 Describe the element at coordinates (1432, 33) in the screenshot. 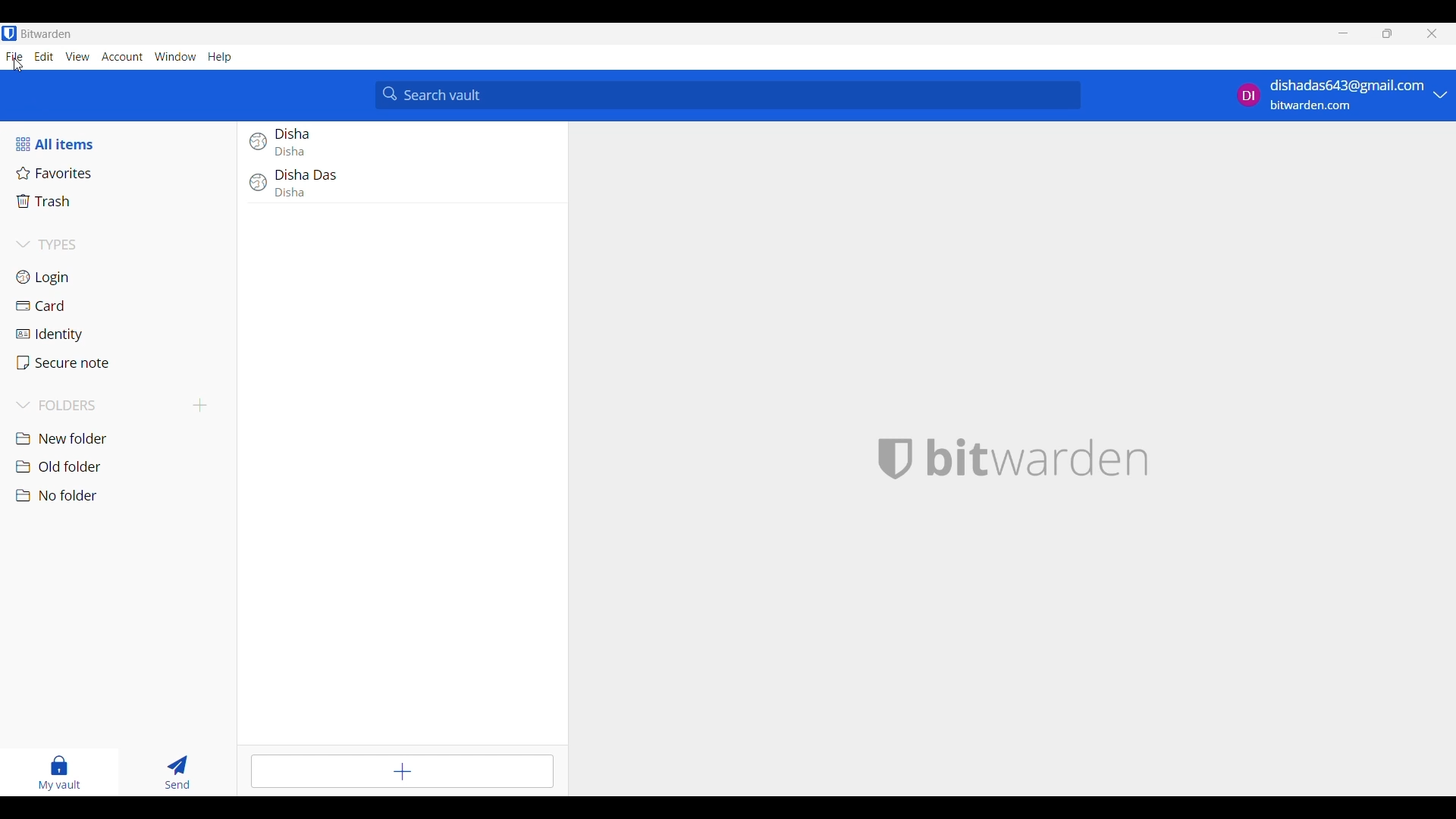

I see `Close interface` at that location.